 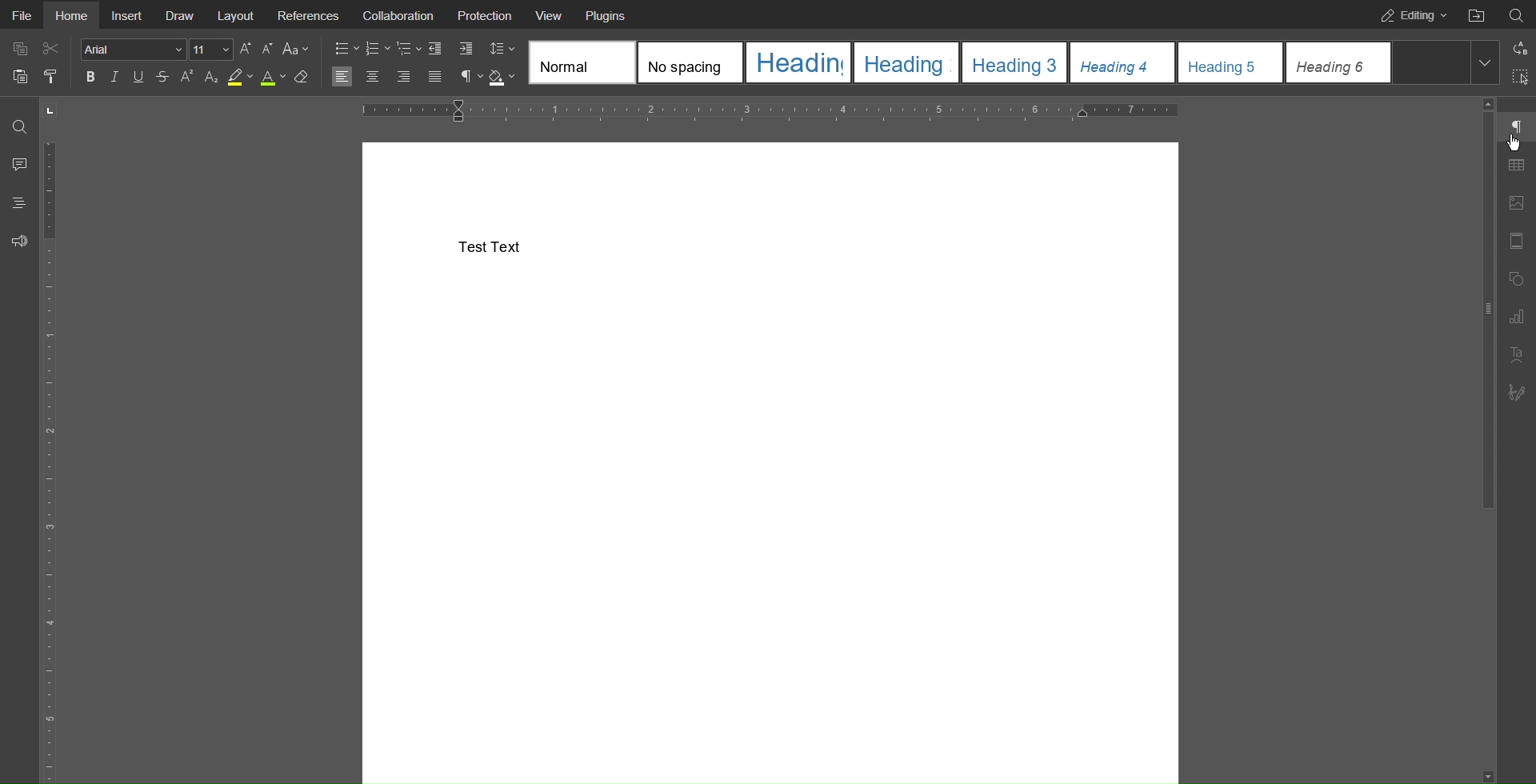 What do you see at coordinates (374, 78) in the screenshot?
I see `Centre Align` at bounding box center [374, 78].